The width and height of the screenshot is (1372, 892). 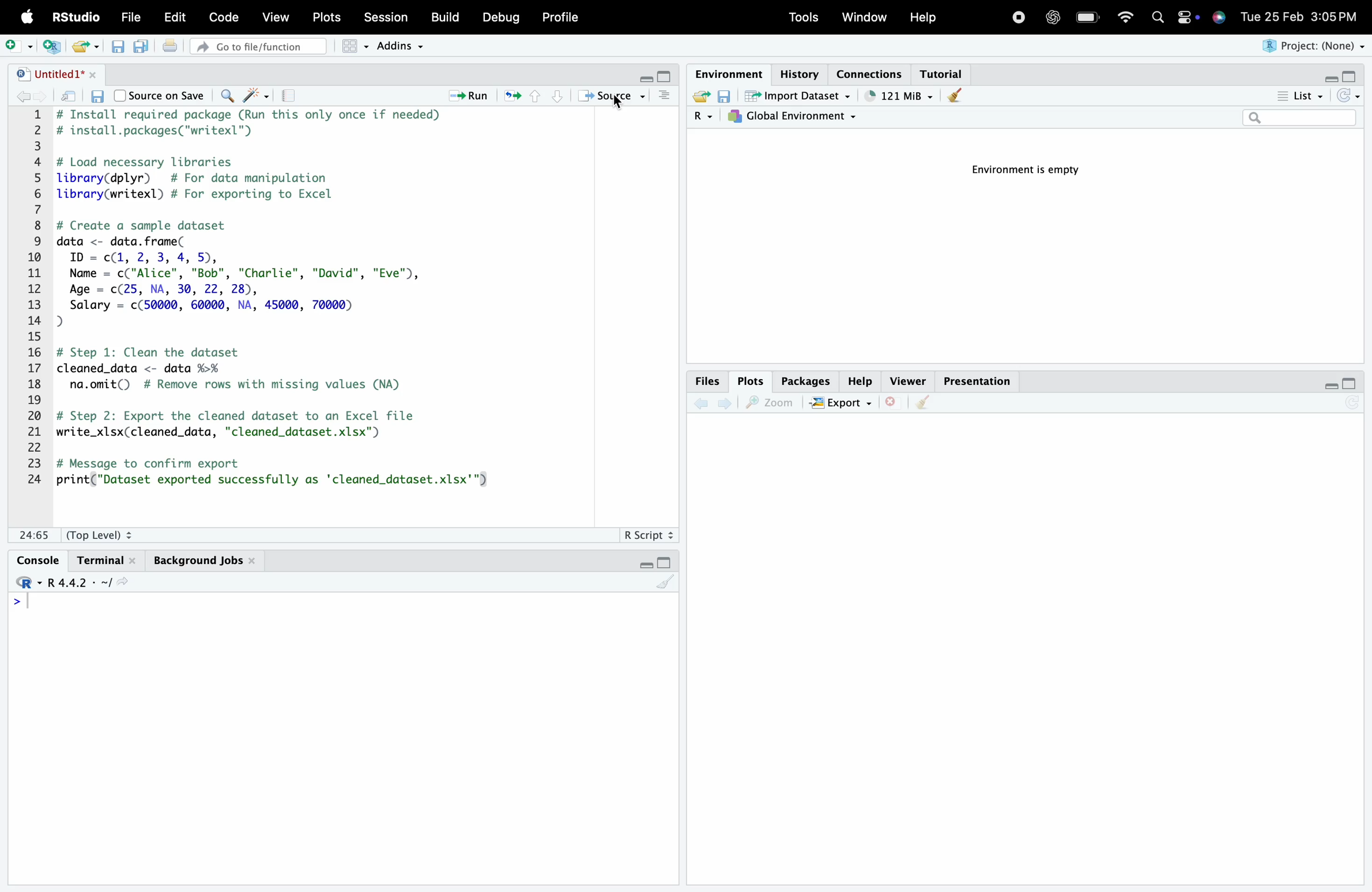 I want to click on Maximize/Restore, so click(x=669, y=78).